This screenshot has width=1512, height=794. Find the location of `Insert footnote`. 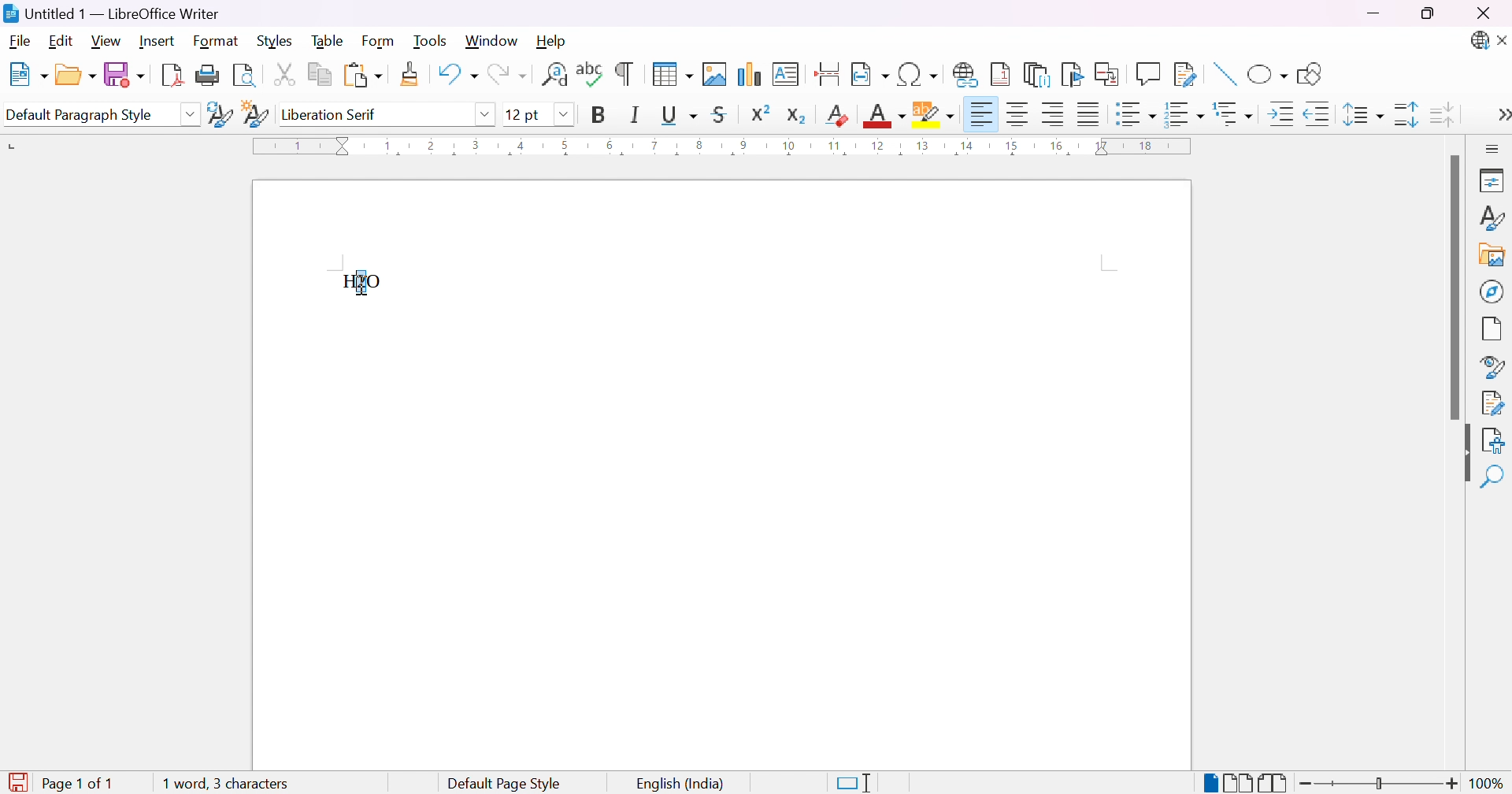

Insert footnote is located at coordinates (1001, 73).